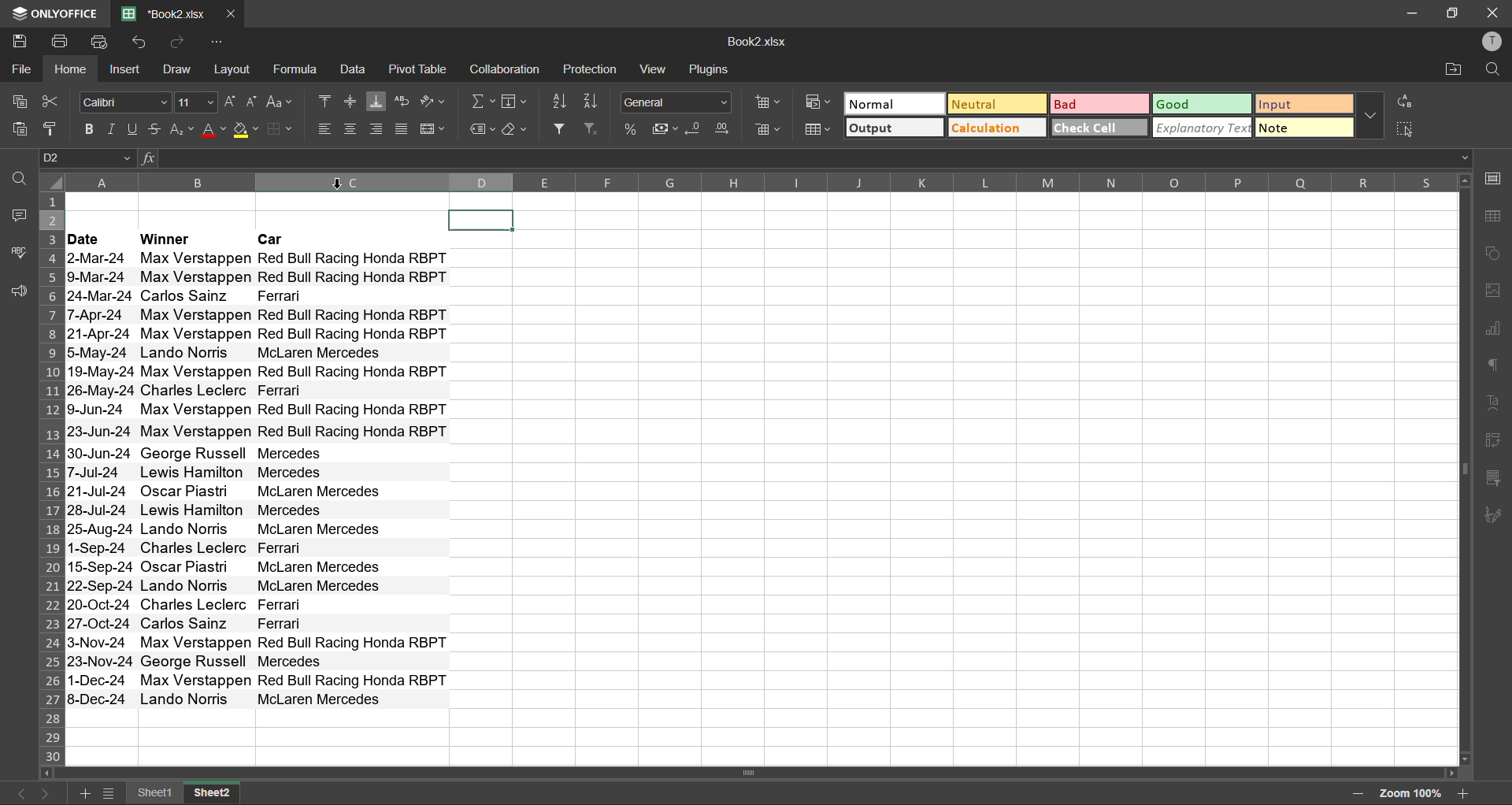 This screenshot has width=1512, height=805. Describe the element at coordinates (517, 129) in the screenshot. I see `clear` at that location.